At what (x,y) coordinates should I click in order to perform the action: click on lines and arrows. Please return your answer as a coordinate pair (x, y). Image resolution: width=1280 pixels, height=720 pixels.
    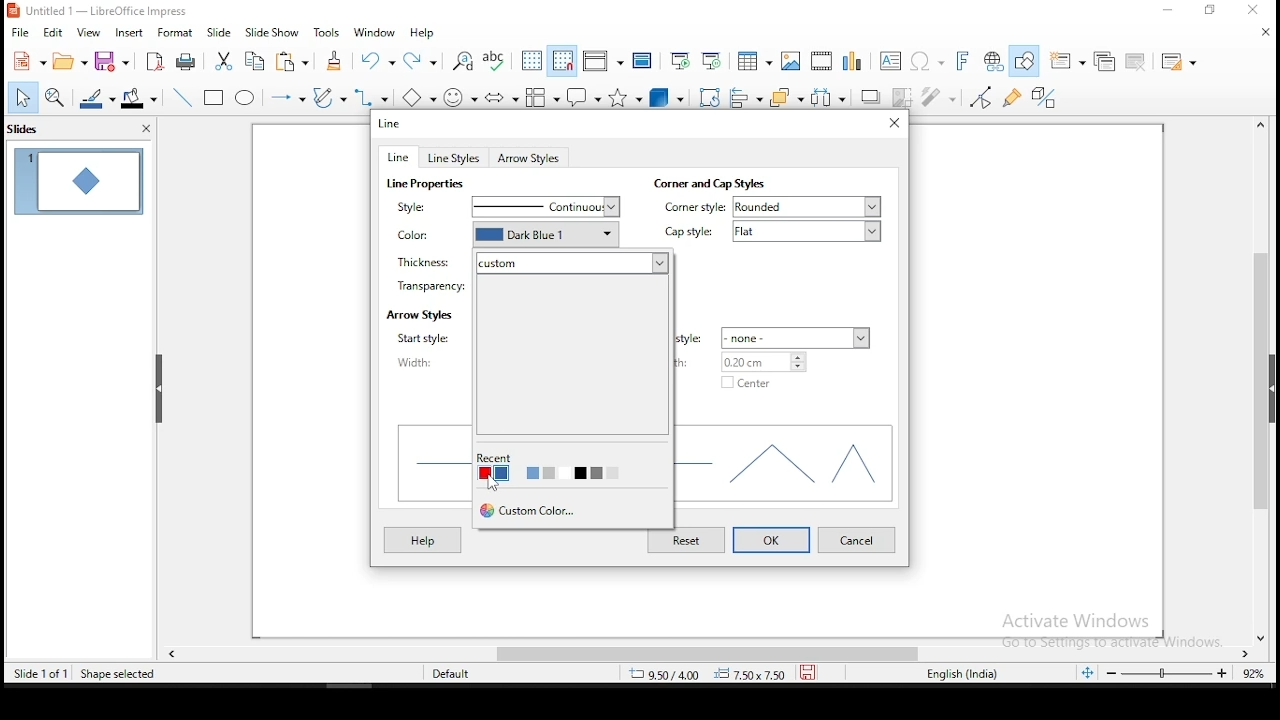
    Looking at the image, I should click on (291, 100).